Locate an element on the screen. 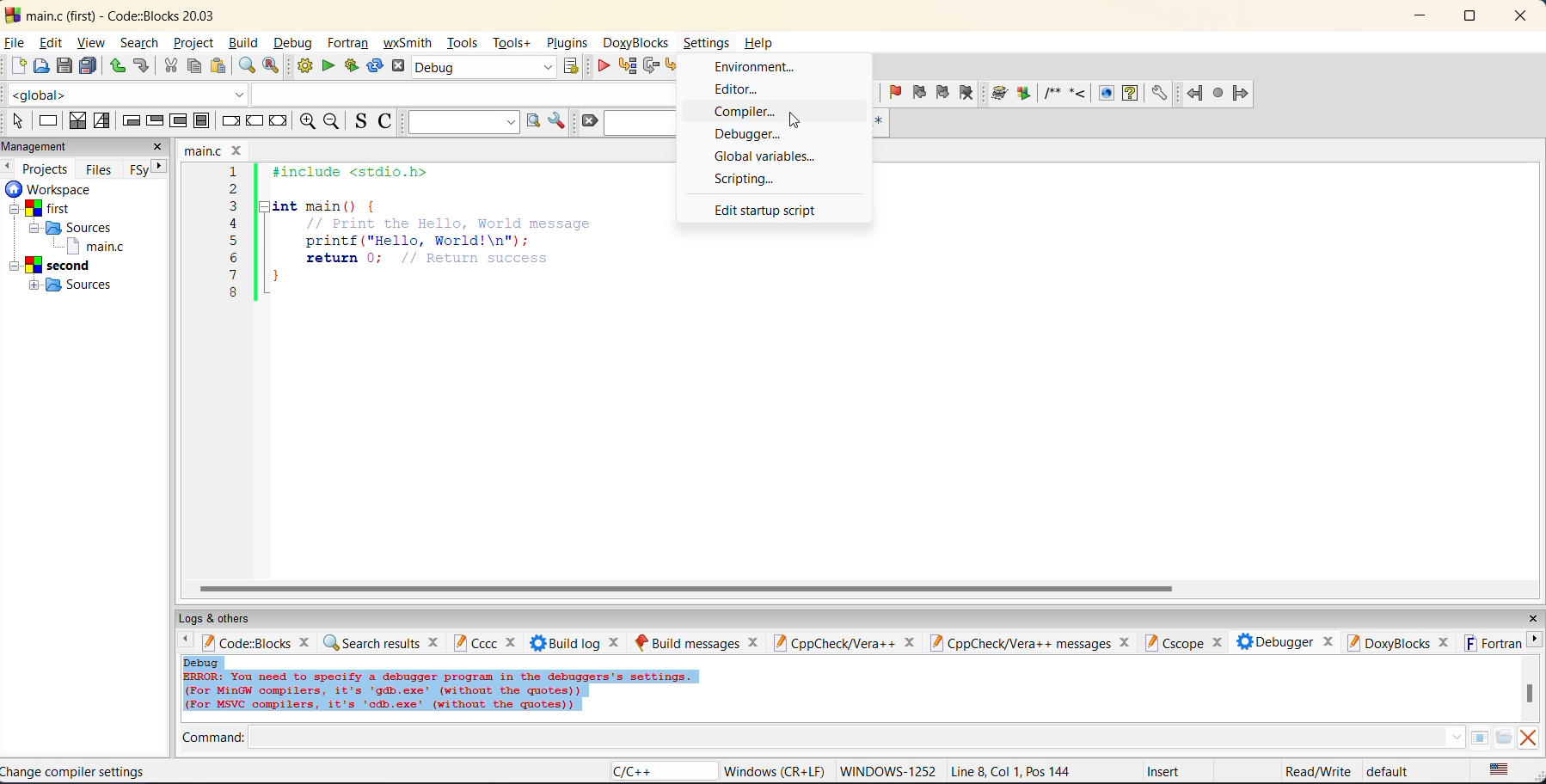  Cursor is located at coordinates (799, 121).